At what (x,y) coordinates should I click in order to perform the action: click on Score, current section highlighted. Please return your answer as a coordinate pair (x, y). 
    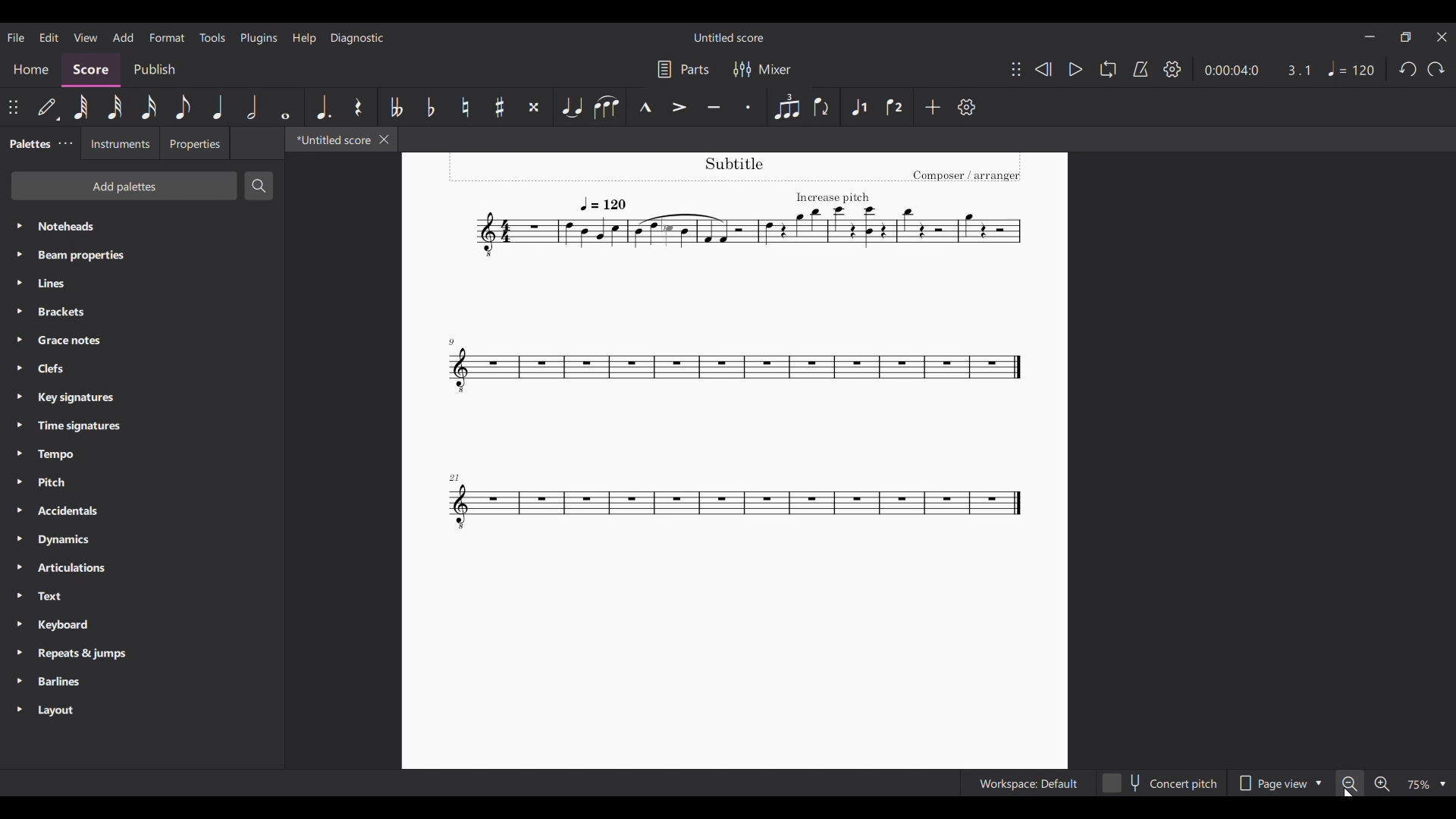
    Looking at the image, I should click on (91, 70).